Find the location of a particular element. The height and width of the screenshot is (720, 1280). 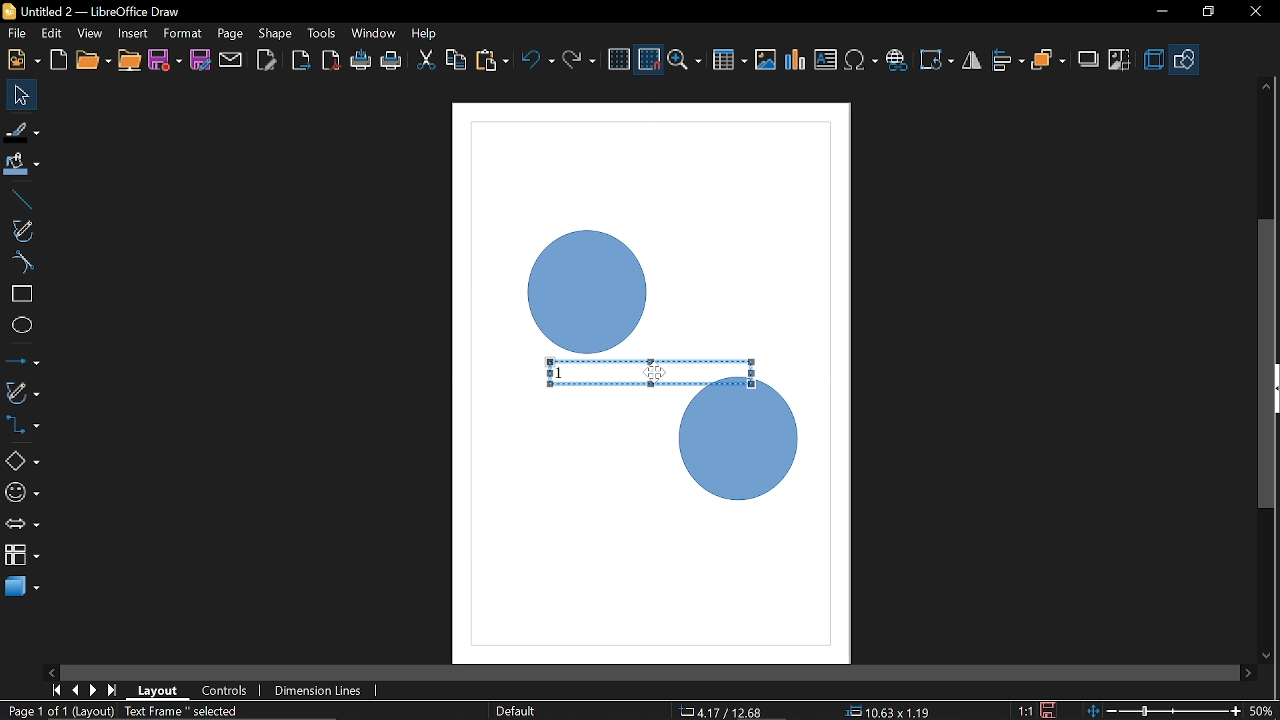

Open is located at coordinates (92, 61).